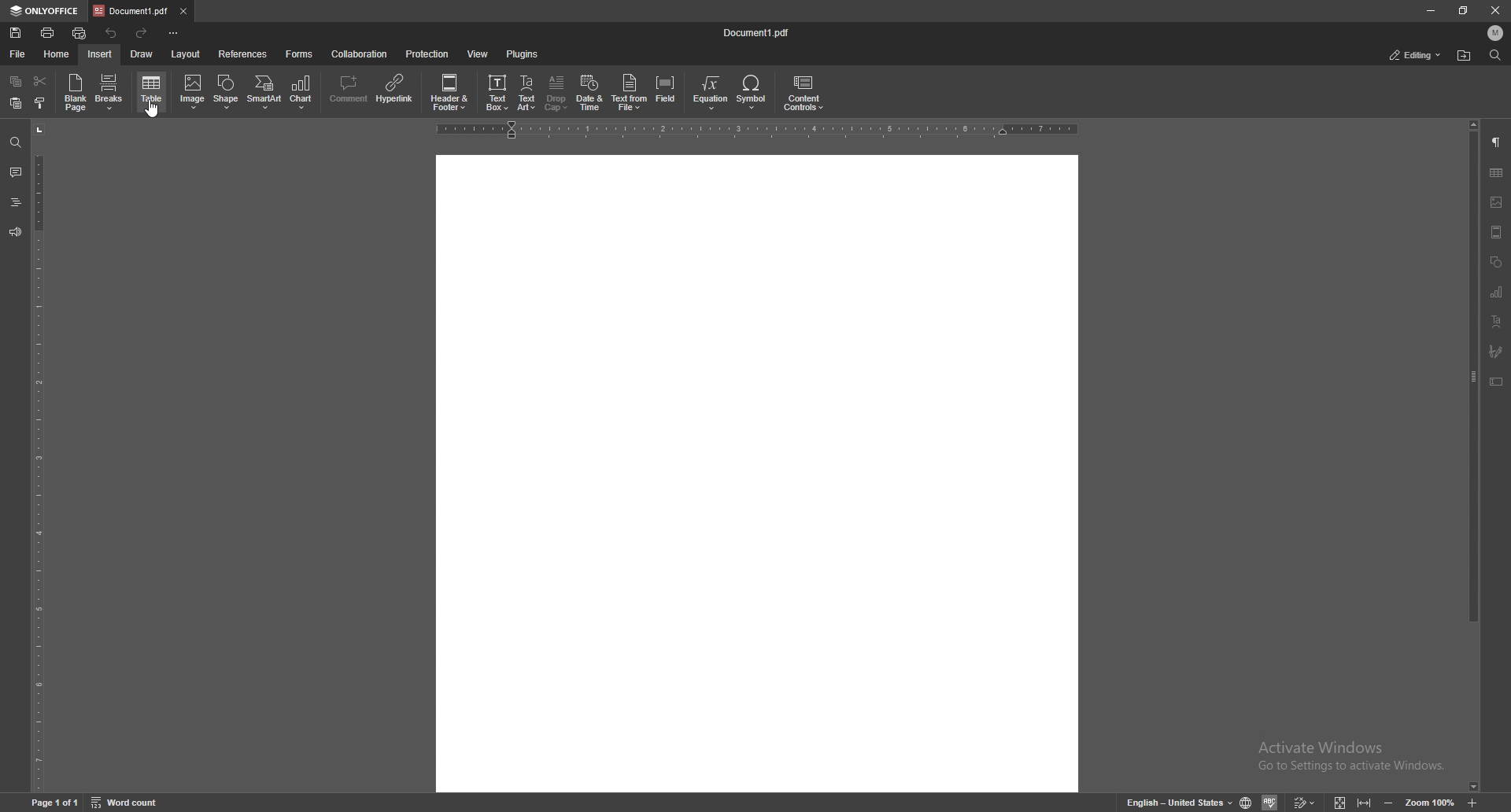 This screenshot has width=1511, height=812. I want to click on signature field, so click(1498, 351).